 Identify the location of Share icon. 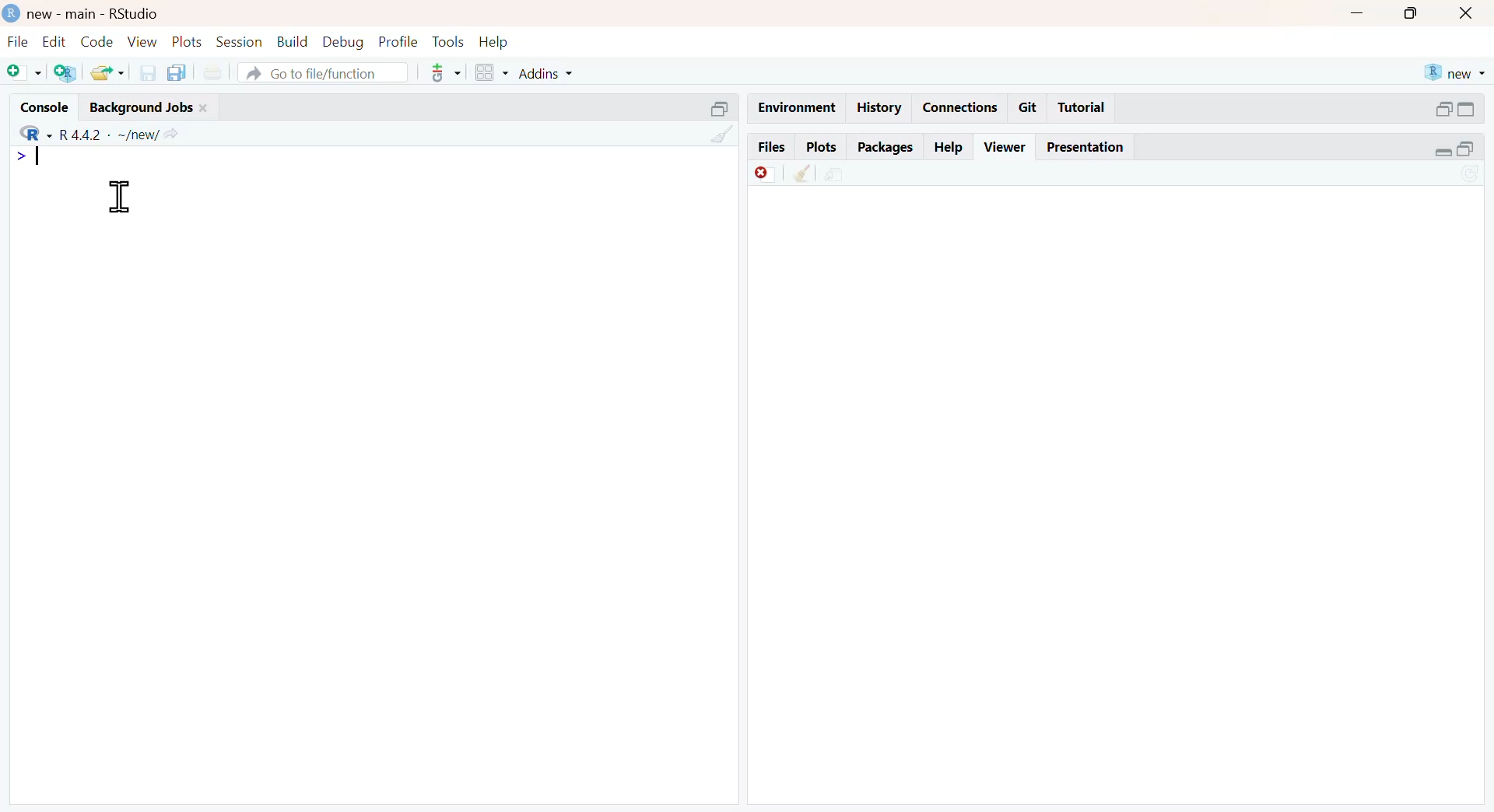
(173, 134).